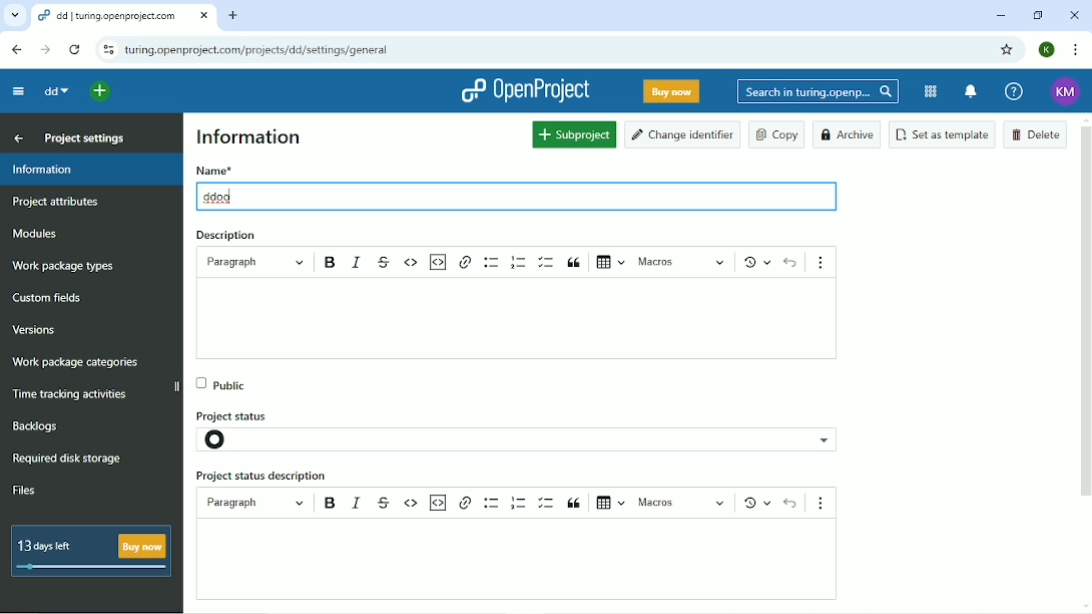 The height and width of the screenshot is (614, 1092). I want to click on Set as template, so click(943, 134).